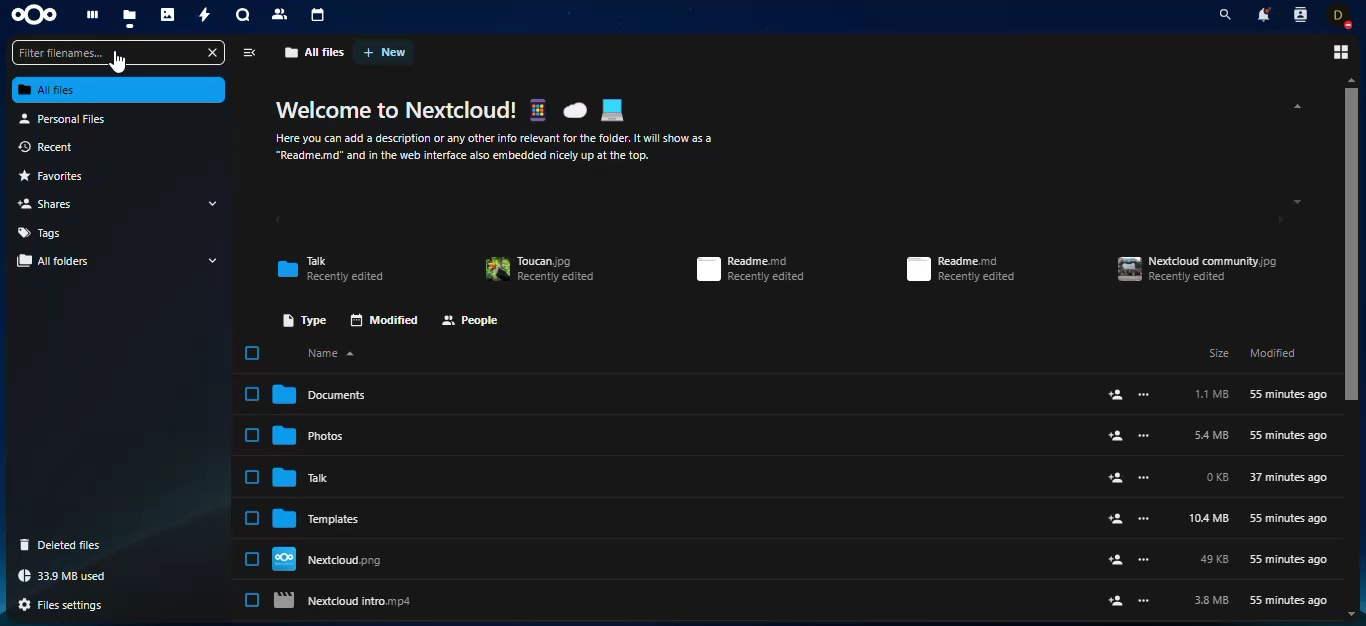 This screenshot has height=626, width=1366. I want to click on name sorting, so click(330, 353).